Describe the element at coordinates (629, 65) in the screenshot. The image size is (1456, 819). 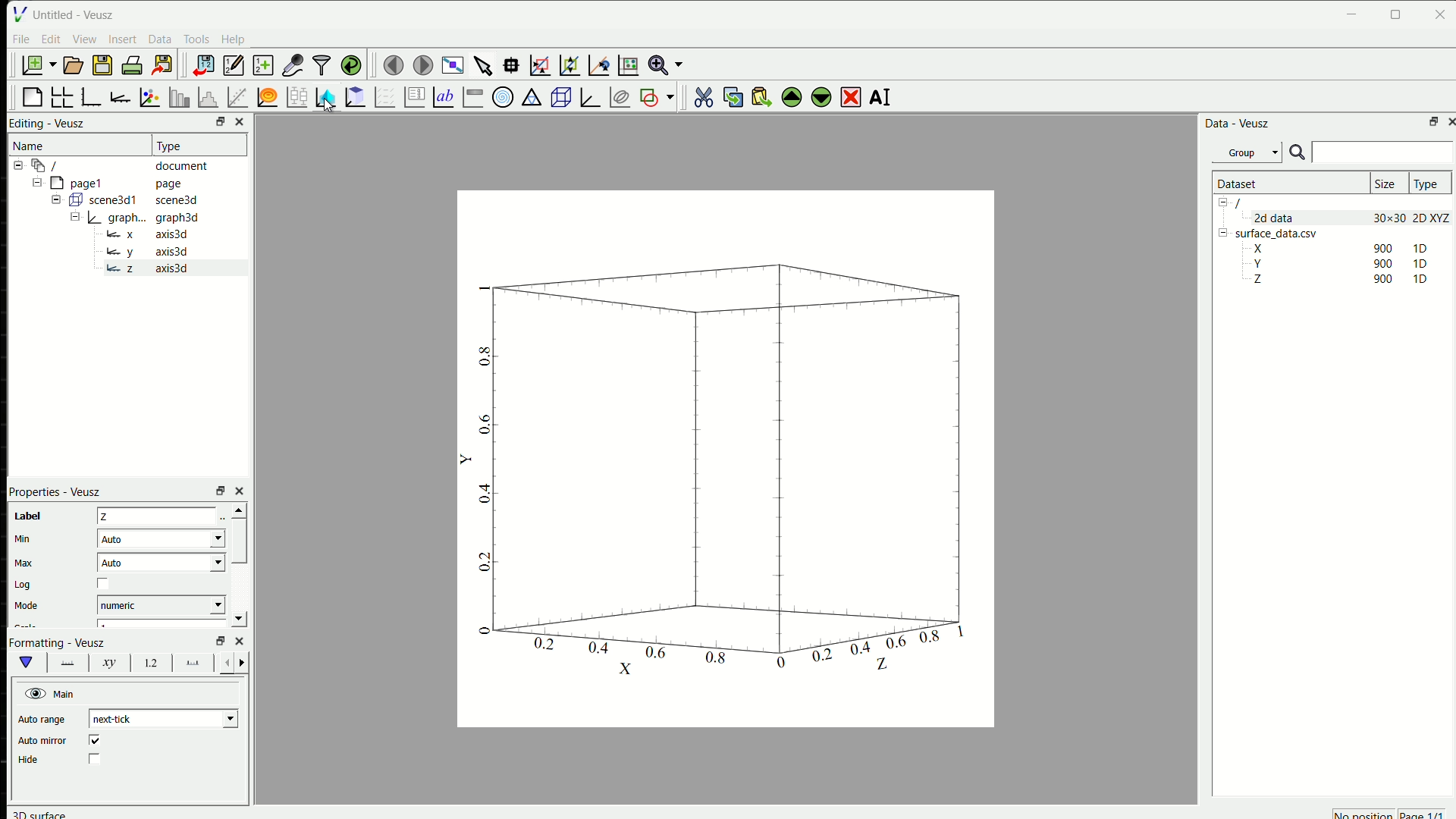
I see `click to reset graph axis` at that location.